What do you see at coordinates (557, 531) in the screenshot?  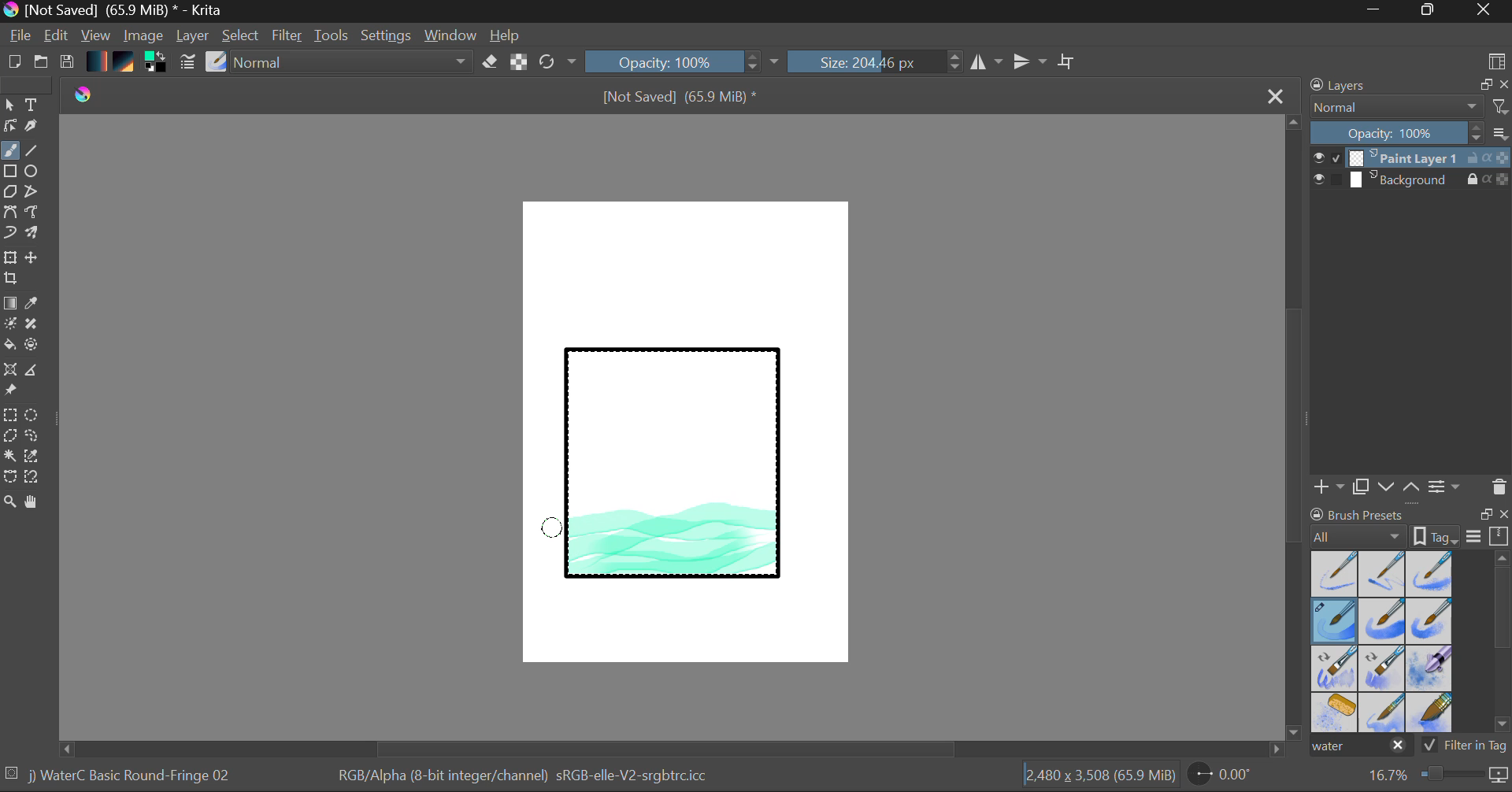 I see `MOUSE_UP Stroke 5` at bounding box center [557, 531].